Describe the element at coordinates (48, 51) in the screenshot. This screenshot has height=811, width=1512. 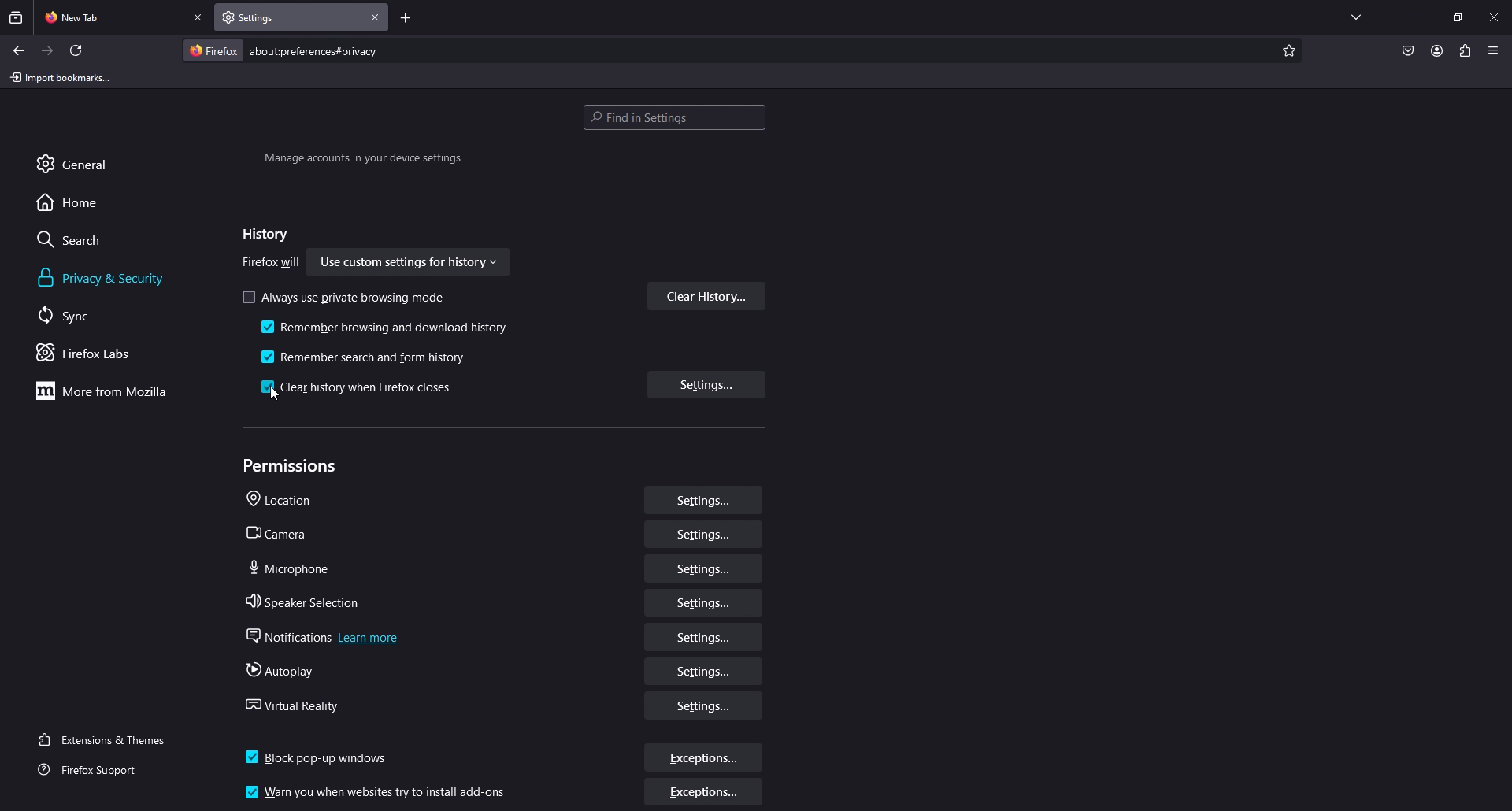
I see `forward` at that location.